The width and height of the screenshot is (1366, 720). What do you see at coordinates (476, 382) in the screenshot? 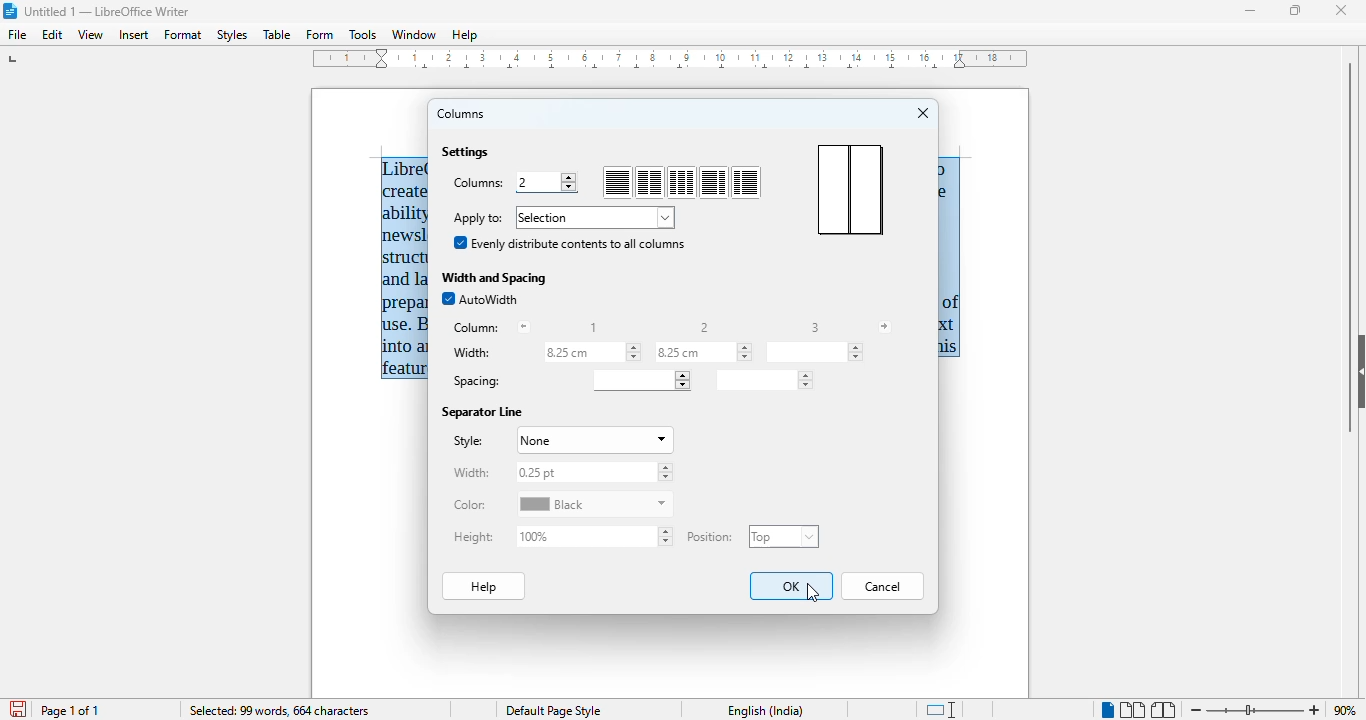
I see `spacing` at bounding box center [476, 382].